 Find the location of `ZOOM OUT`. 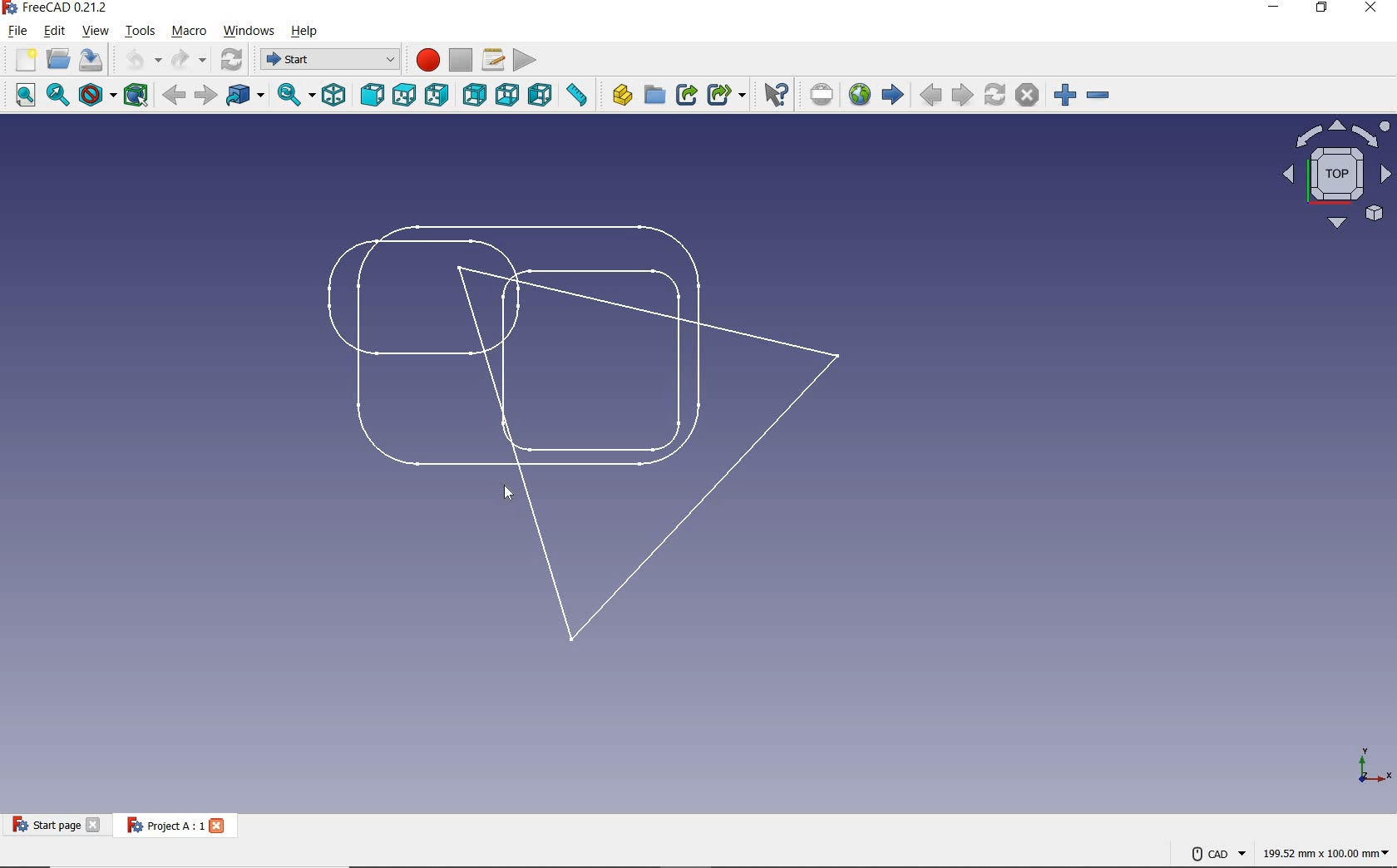

ZOOM OUT is located at coordinates (1101, 96).